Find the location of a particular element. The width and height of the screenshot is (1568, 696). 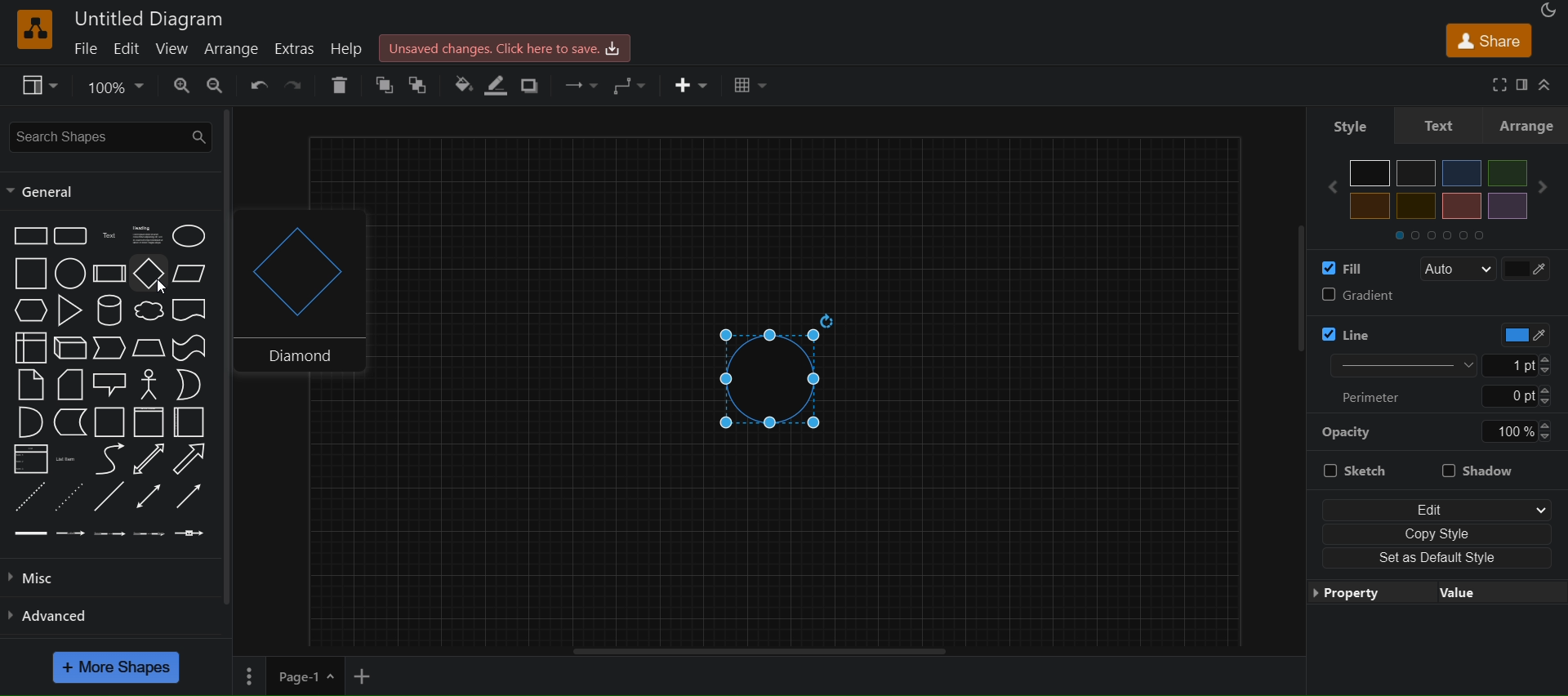

scrollbar is located at coordinates (233, 492).